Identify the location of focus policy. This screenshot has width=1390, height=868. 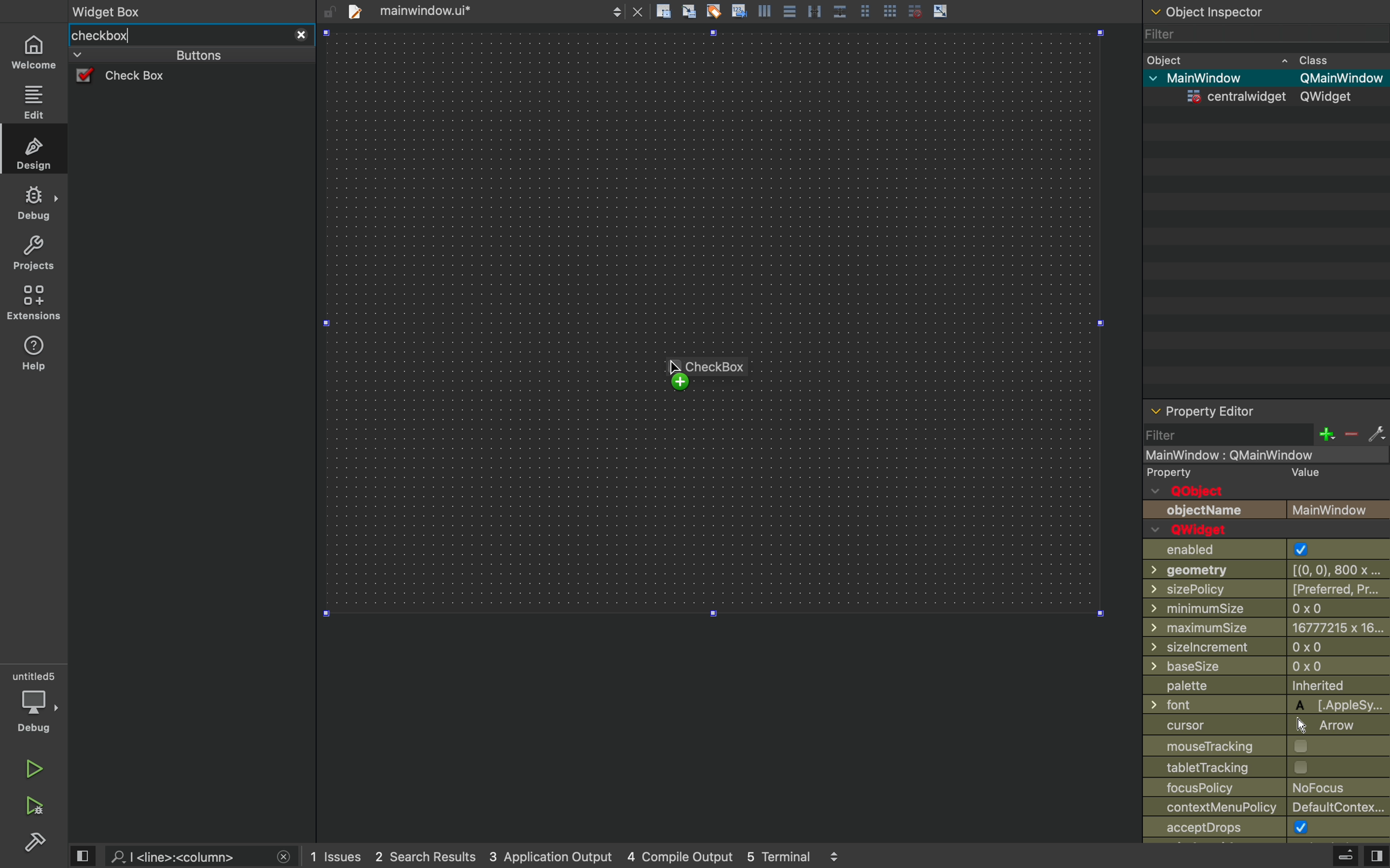
(1260, 788).